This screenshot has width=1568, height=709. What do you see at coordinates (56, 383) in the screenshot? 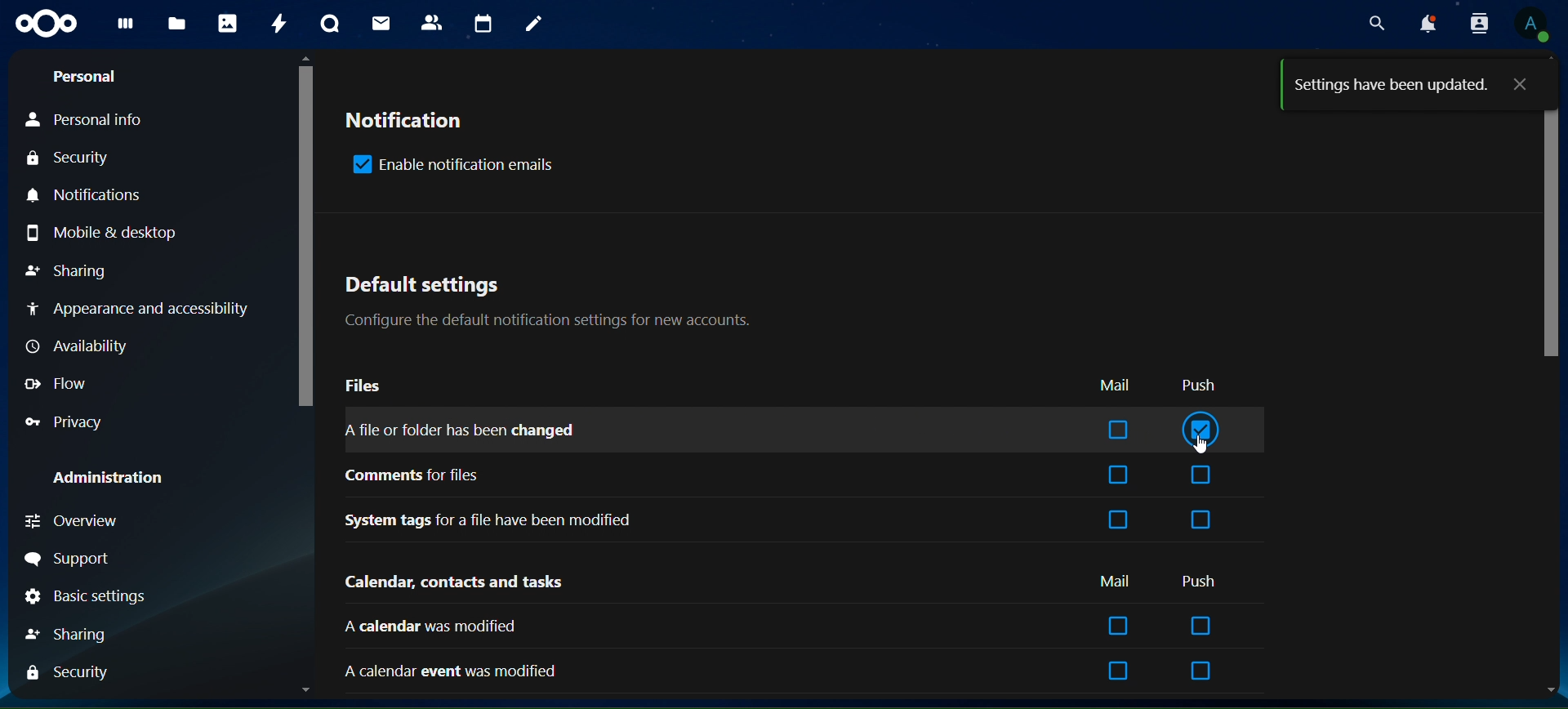
I see `flow` at bounding box center [56, 383].